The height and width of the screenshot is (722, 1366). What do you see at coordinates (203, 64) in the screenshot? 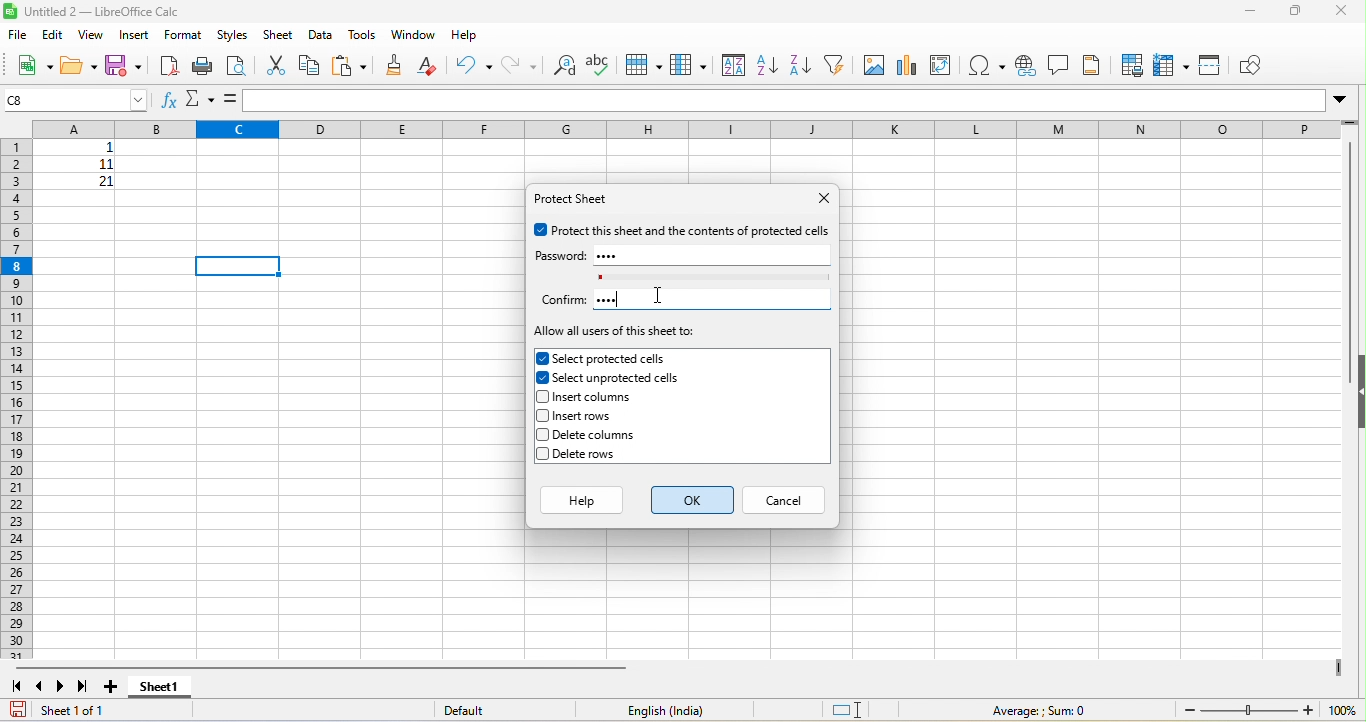
I see `print` at bounding box center [203, 64].